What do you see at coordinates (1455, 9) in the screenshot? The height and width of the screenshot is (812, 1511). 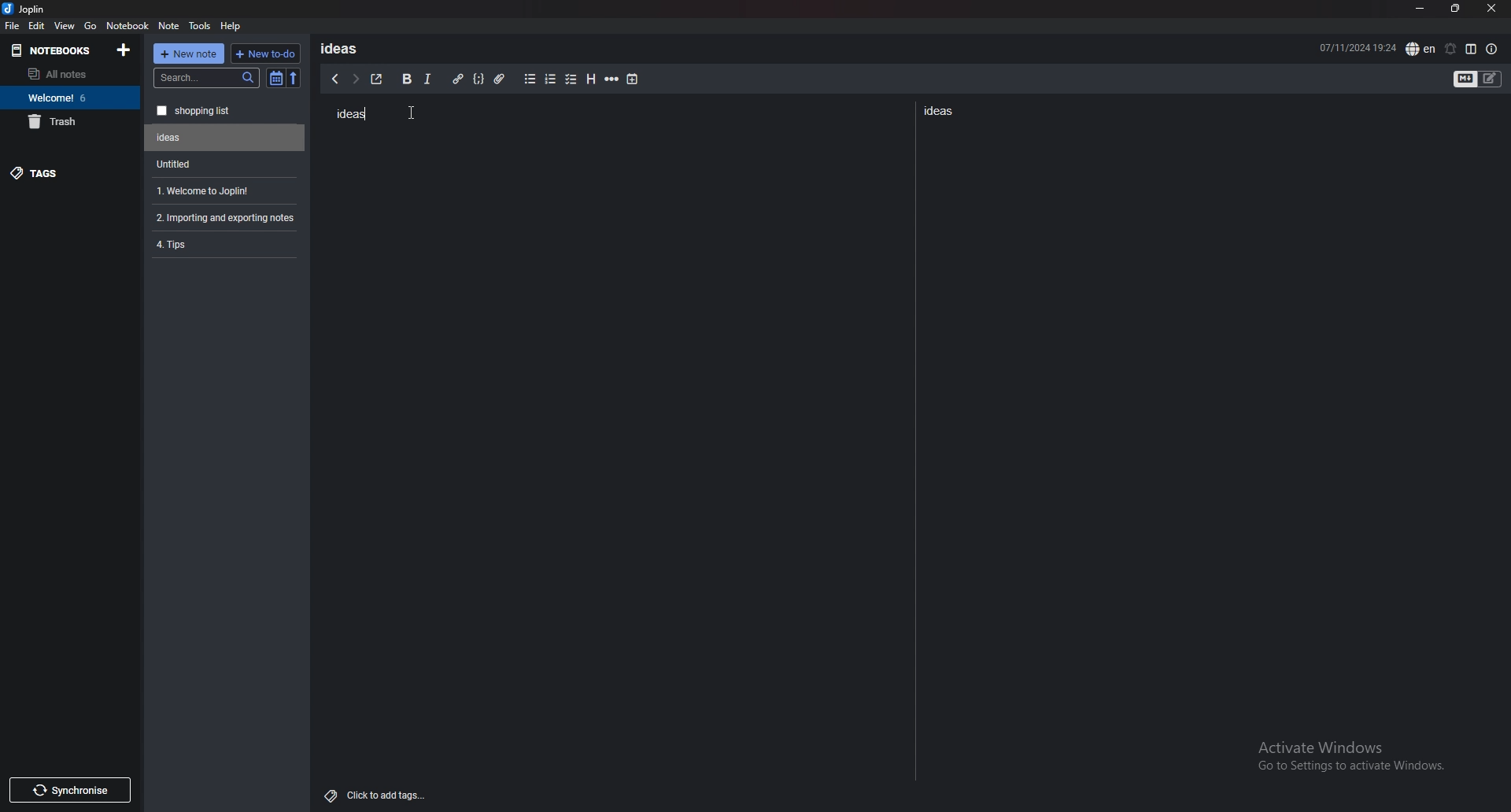 I see `resize` at bounding box center [1455, 9].